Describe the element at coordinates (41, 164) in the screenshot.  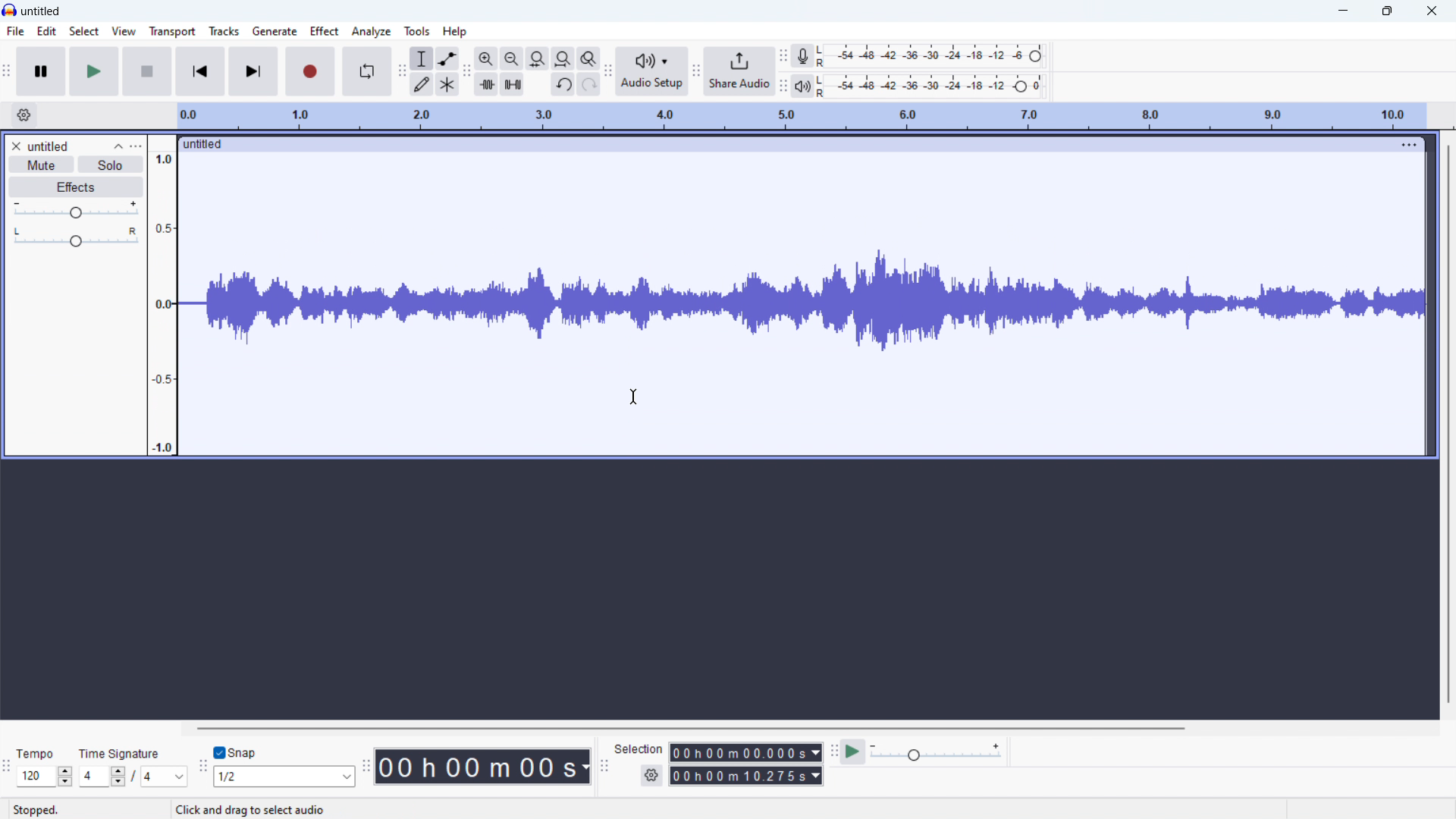
I see `mute` at that location.